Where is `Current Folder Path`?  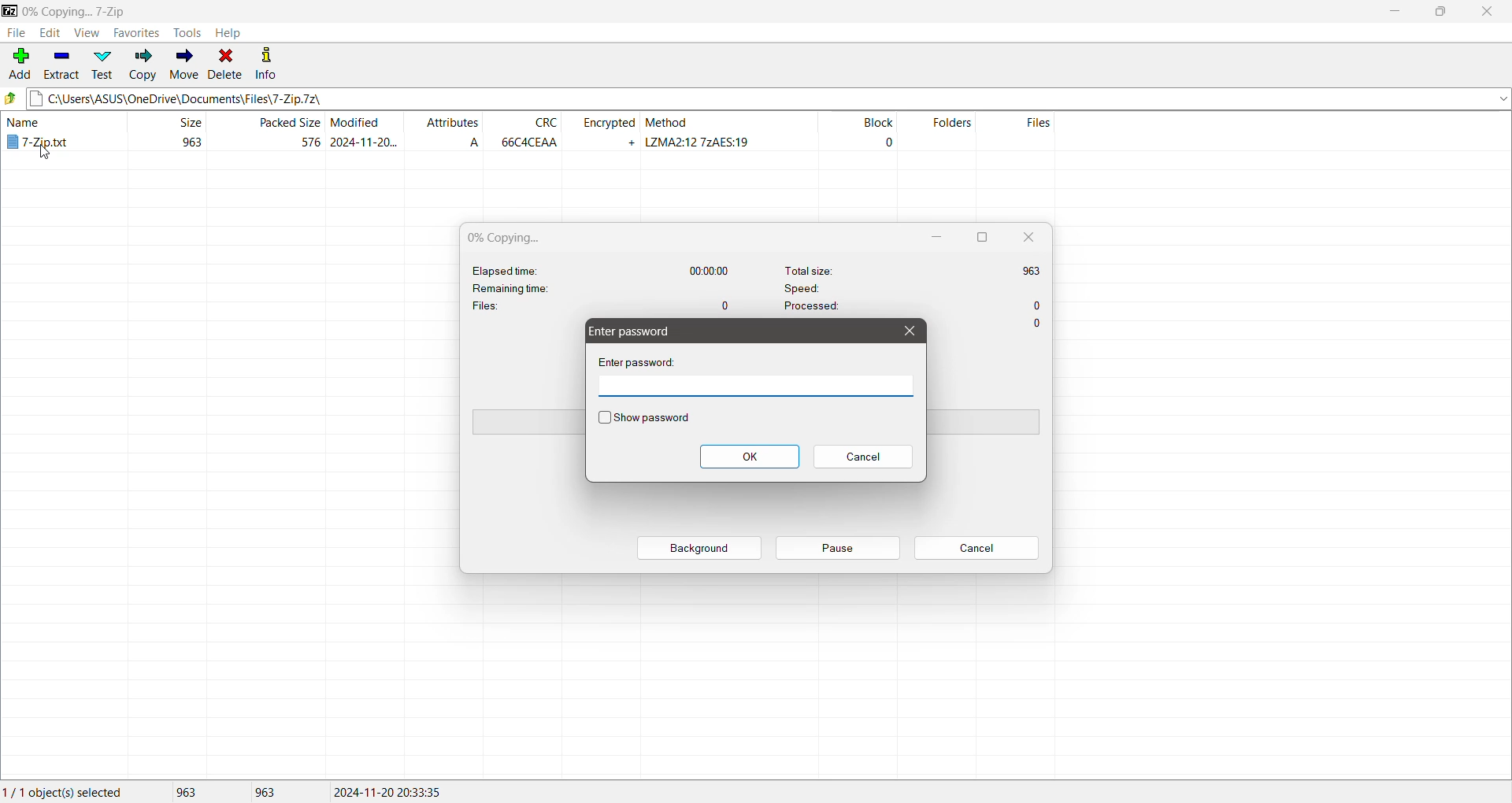 Current Folder Path is located at coordinates (768, 96).